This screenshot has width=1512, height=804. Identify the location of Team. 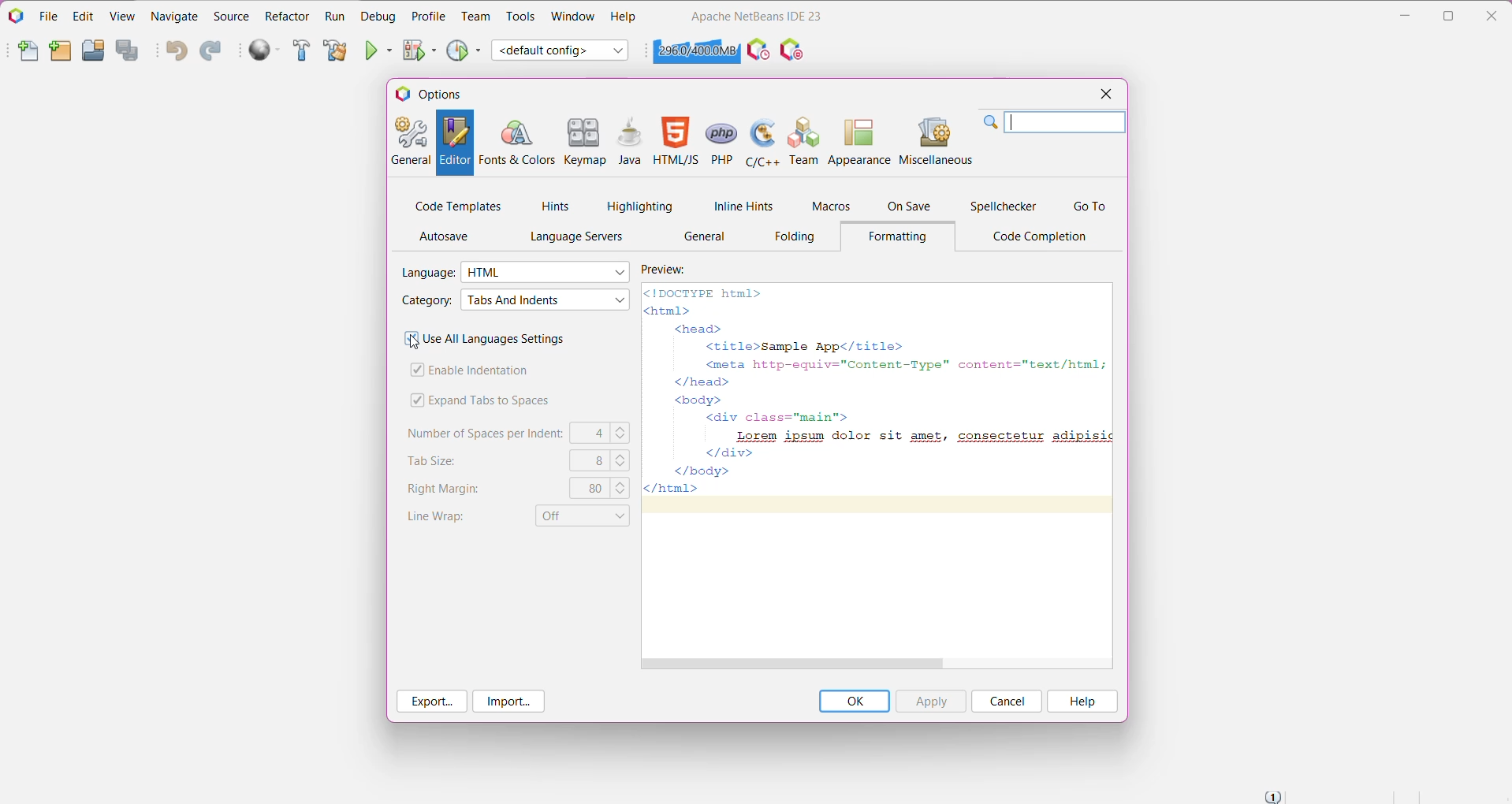
(475, 17).